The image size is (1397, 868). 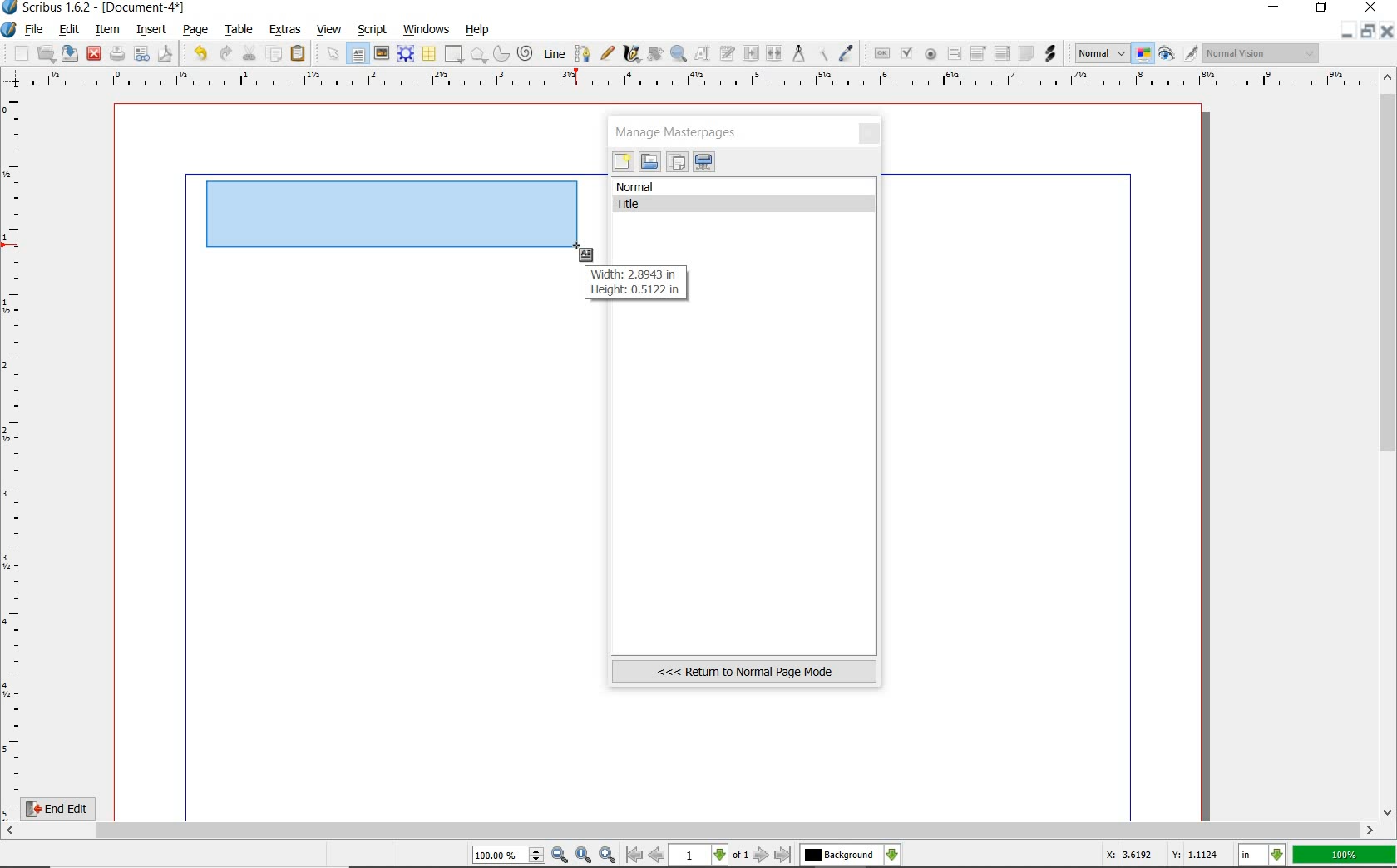 What do you see at coordinates (395, 215) in the screenshot?
I see `drawing text frame` at bounding box center [395, 215].